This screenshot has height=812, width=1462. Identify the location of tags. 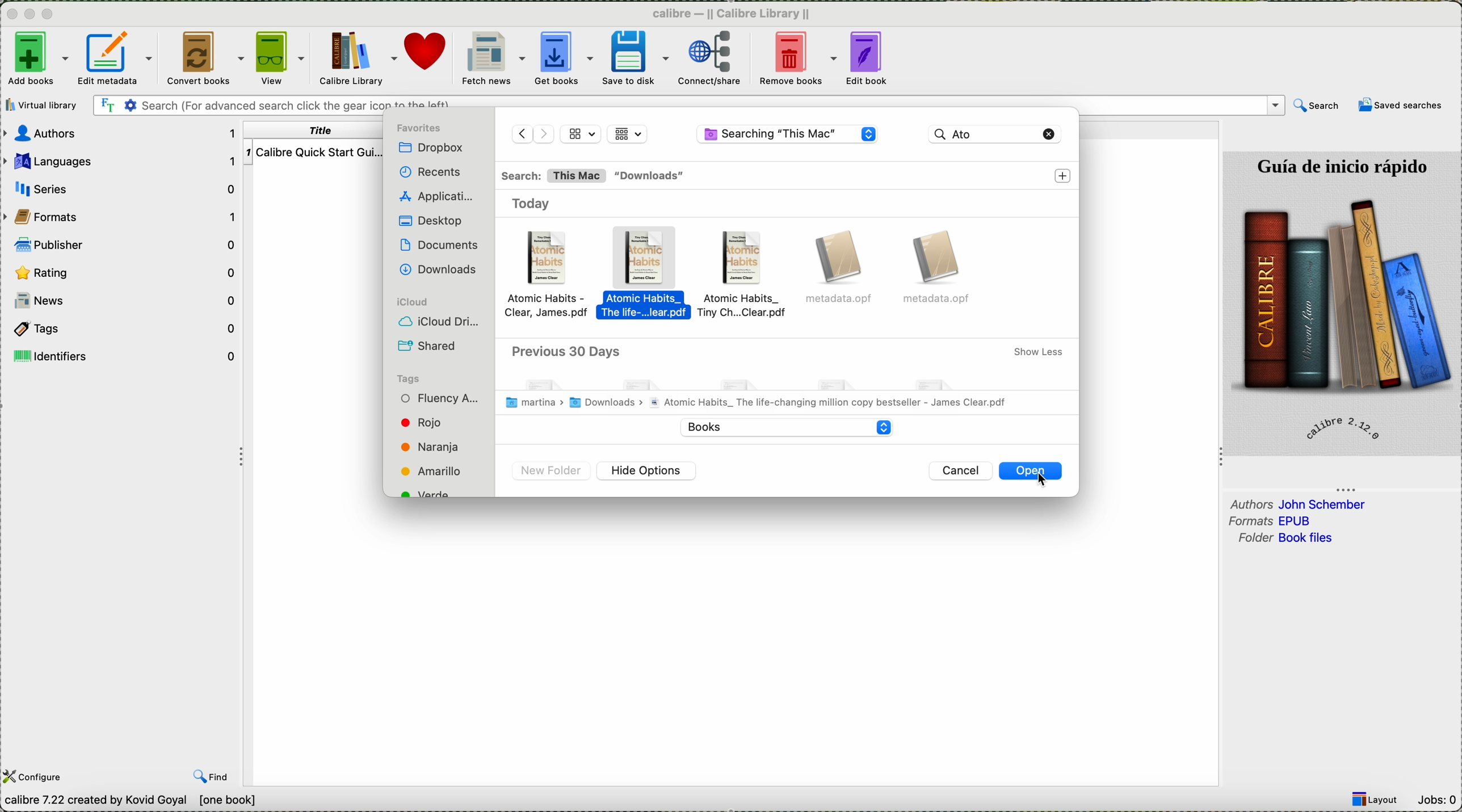
(440, 444).